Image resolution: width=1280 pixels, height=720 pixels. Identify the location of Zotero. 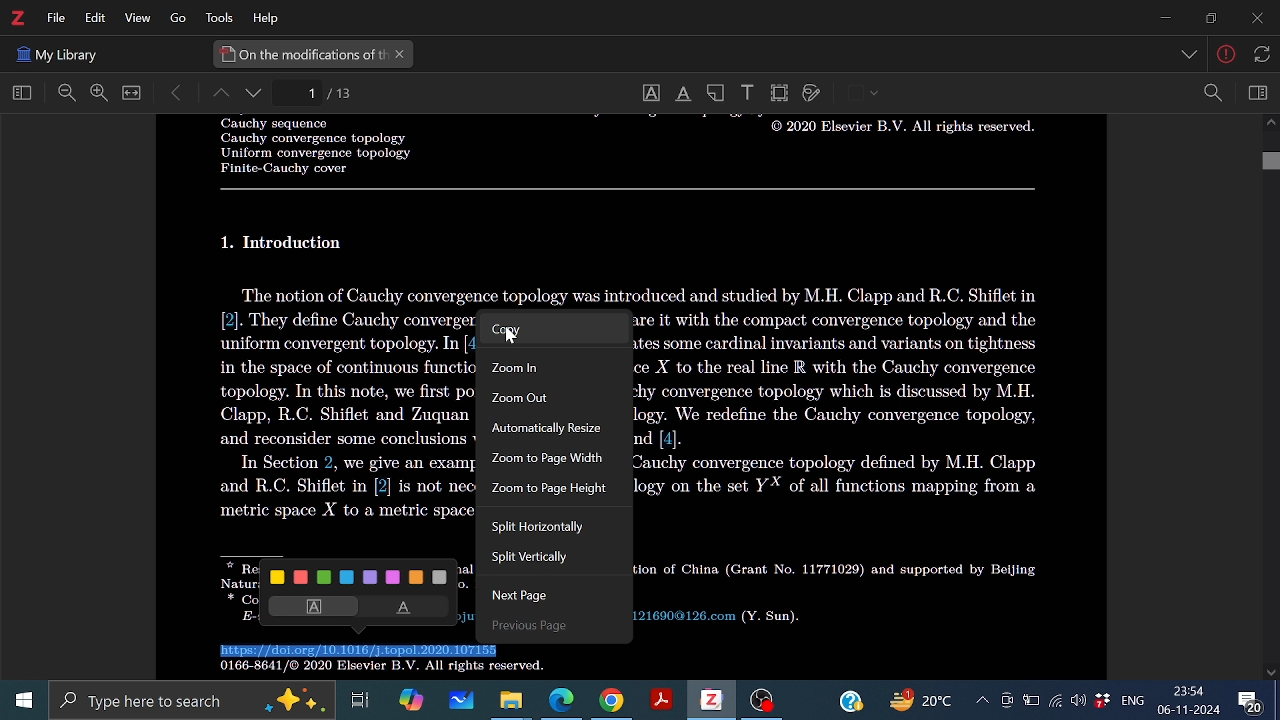
(710, 700).